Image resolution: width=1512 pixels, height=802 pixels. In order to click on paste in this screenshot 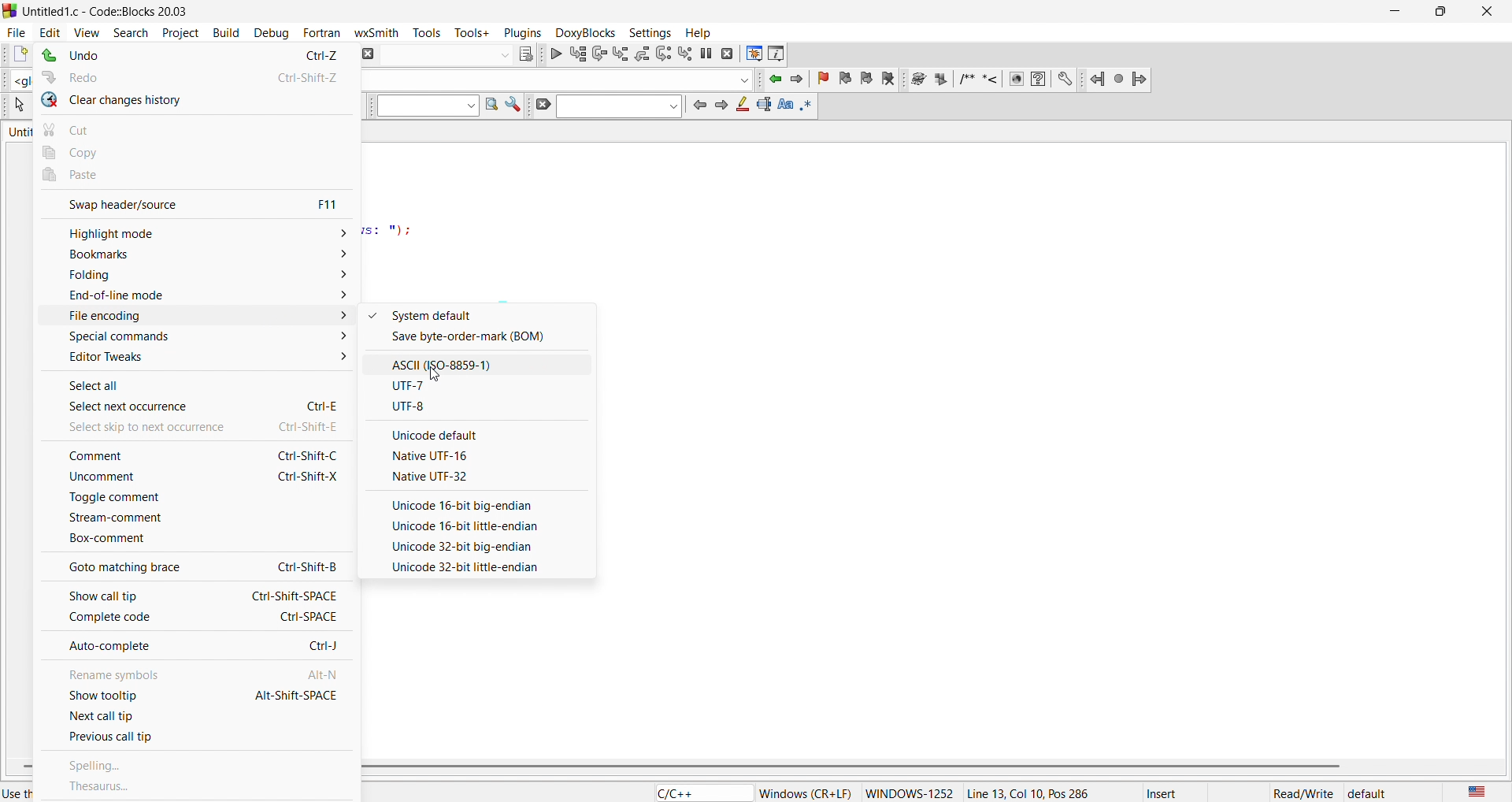, I will do `click(194, 176)`.